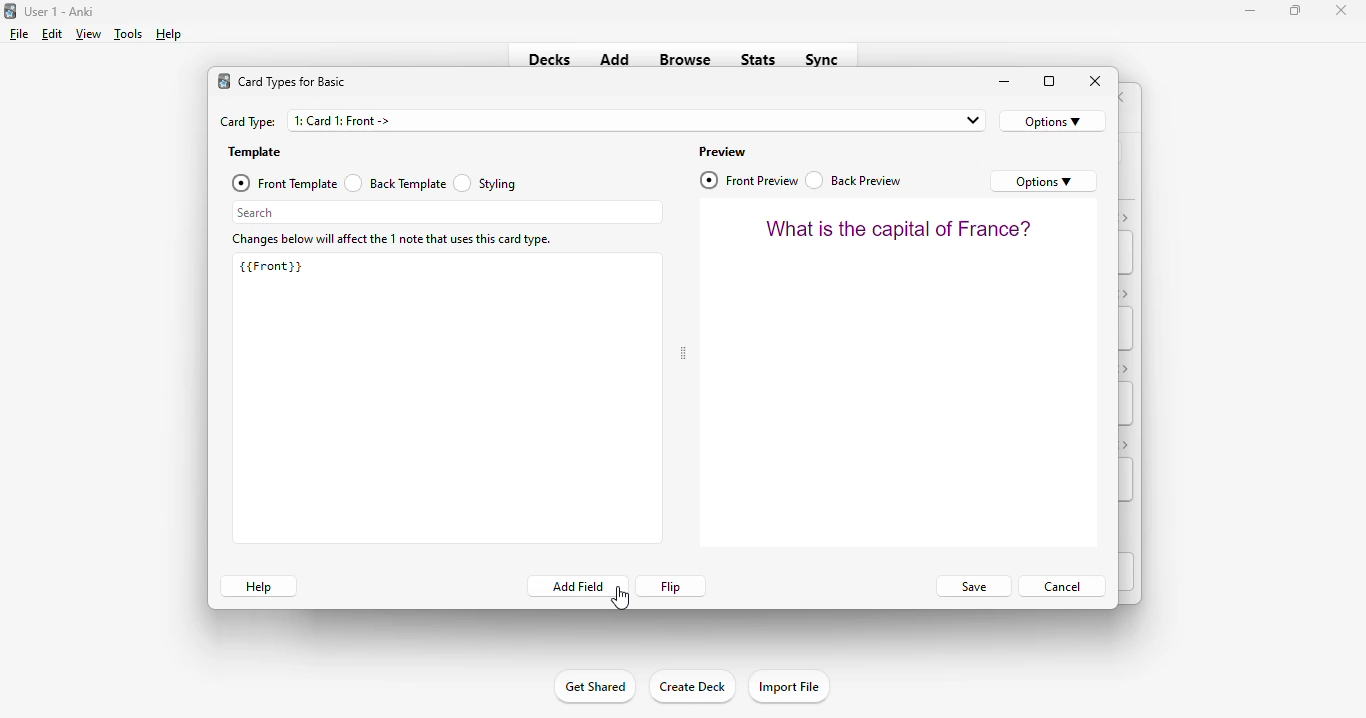 The width and height of the screenshot is (1366, 718). Describe the element at coordinates (550, 59) in the screenshot. I see `decks` at that location.